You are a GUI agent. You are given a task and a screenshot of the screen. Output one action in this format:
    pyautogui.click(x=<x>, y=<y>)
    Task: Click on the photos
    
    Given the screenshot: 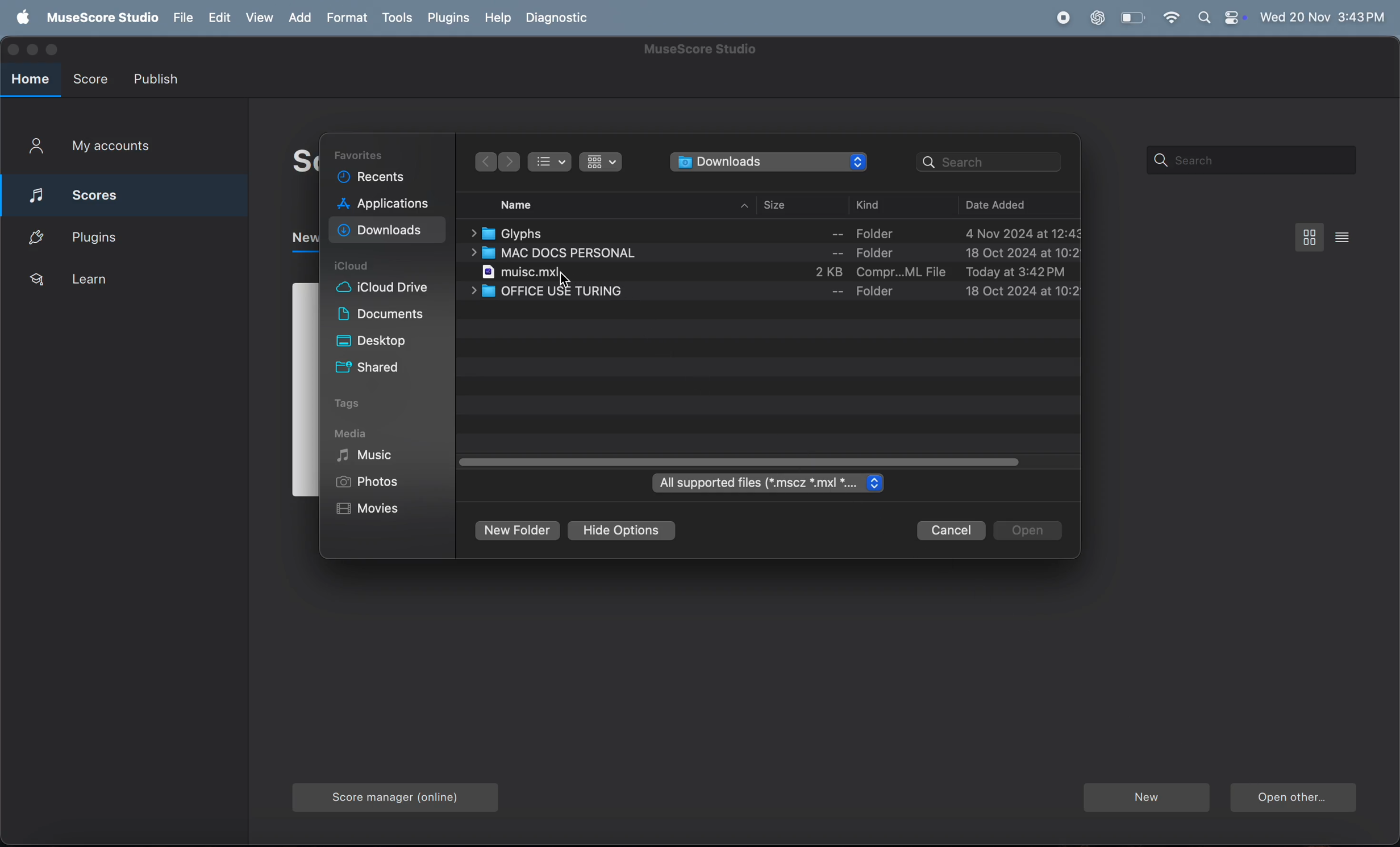 What is the action you would take?
    pyautogui.click(x=369, y=481)
    